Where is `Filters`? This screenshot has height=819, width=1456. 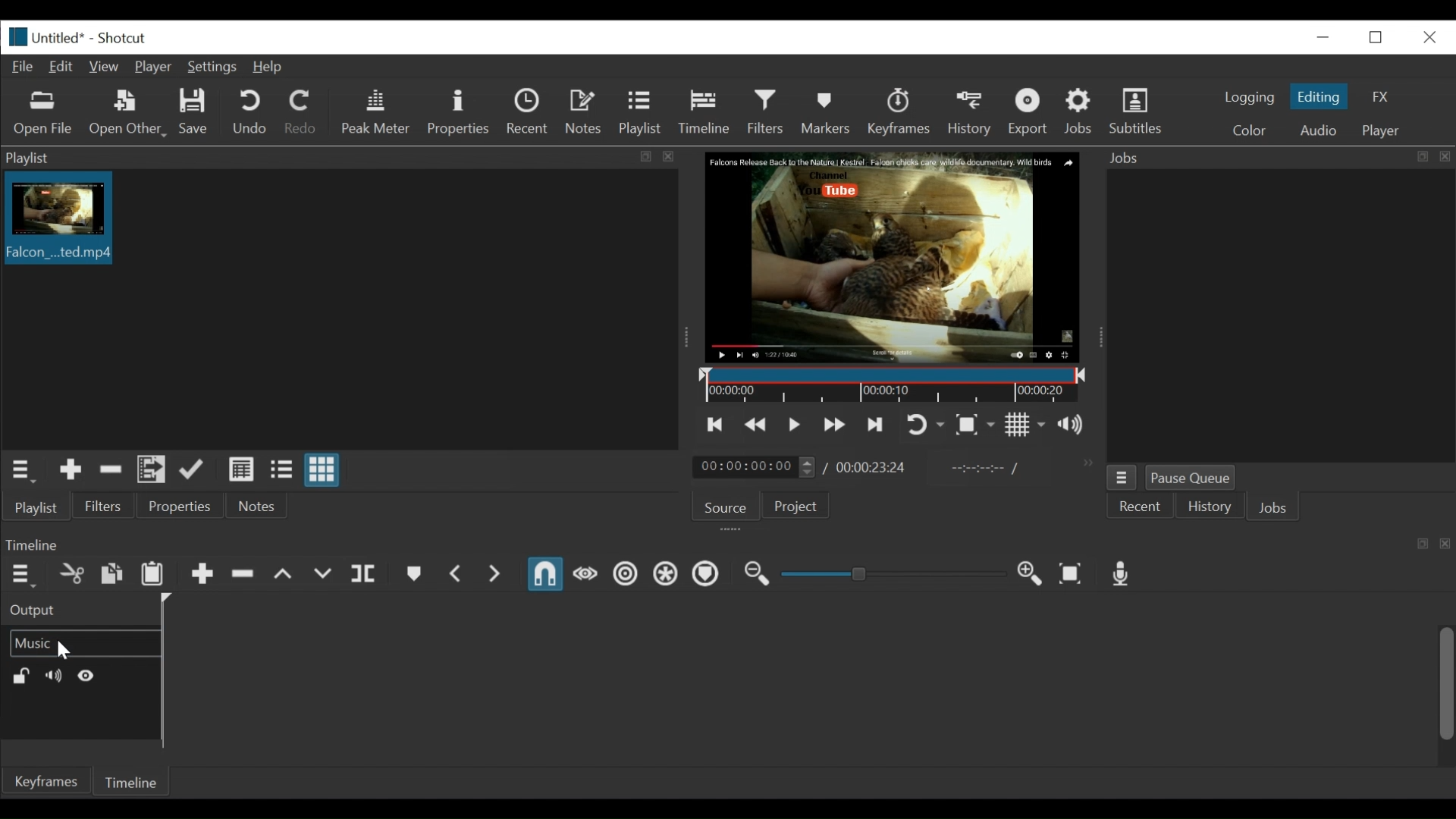
Filters is located at coordinates (108, 507).